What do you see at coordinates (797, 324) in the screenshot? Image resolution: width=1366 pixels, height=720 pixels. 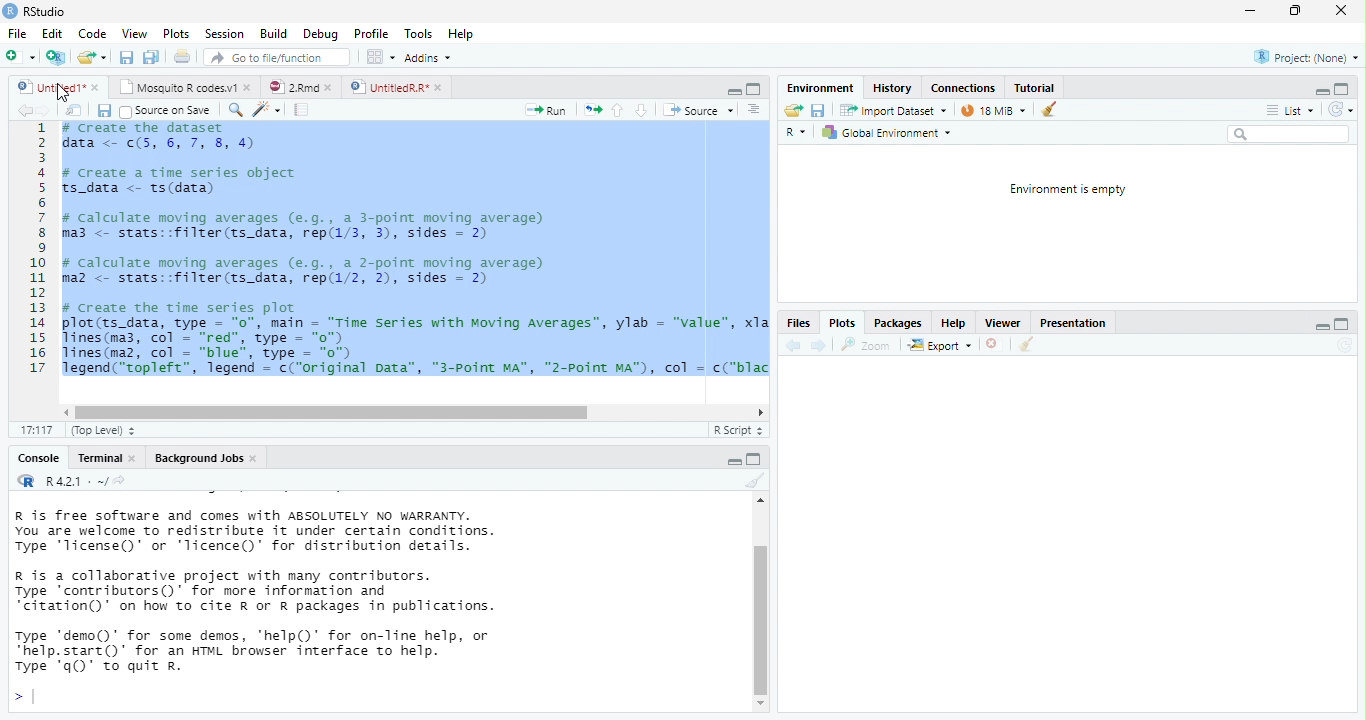 I see `Files` at bounding box center [797, 324].